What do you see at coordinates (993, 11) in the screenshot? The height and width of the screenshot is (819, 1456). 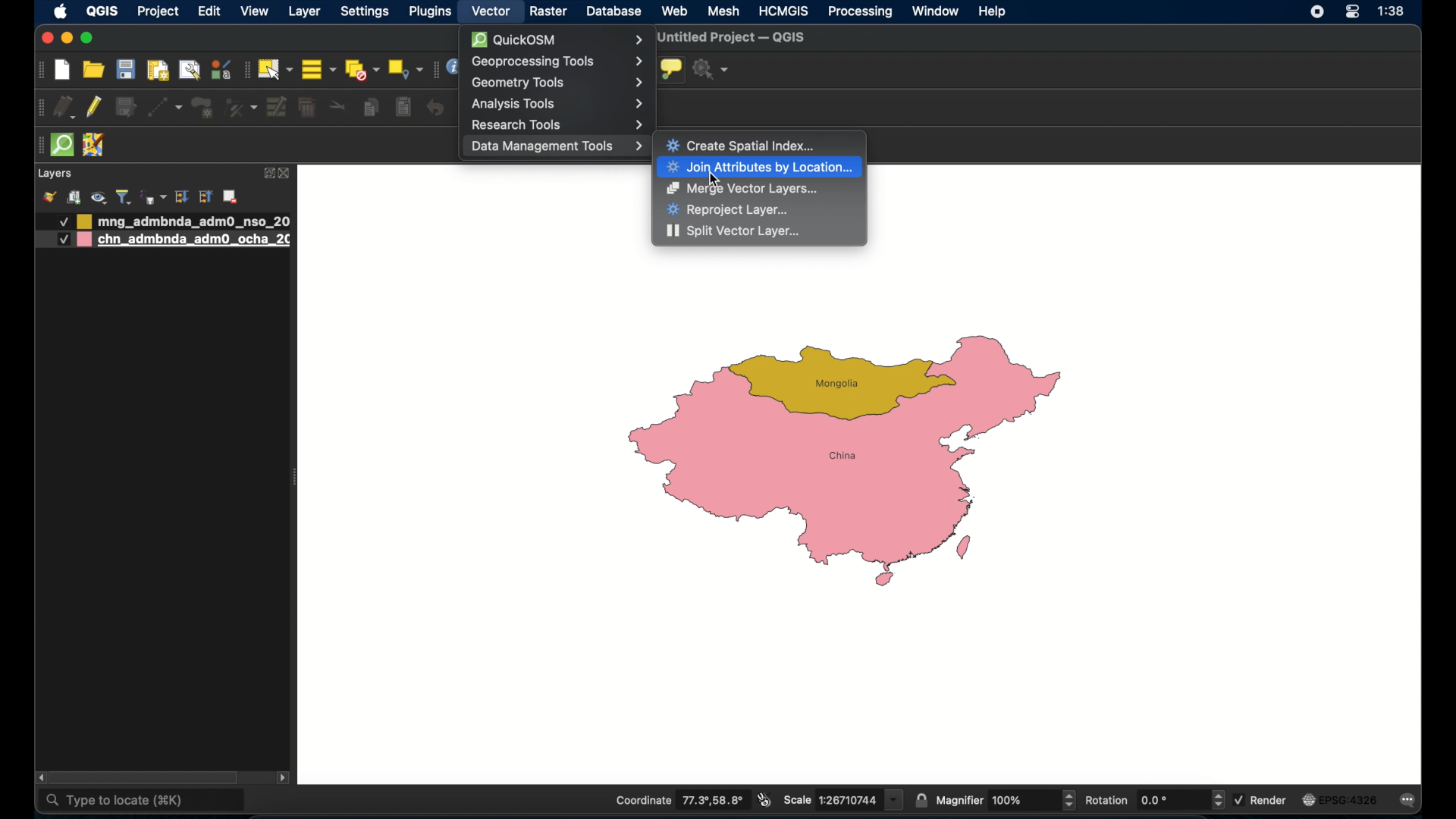 I see `help` at bounding box center [993, 11].